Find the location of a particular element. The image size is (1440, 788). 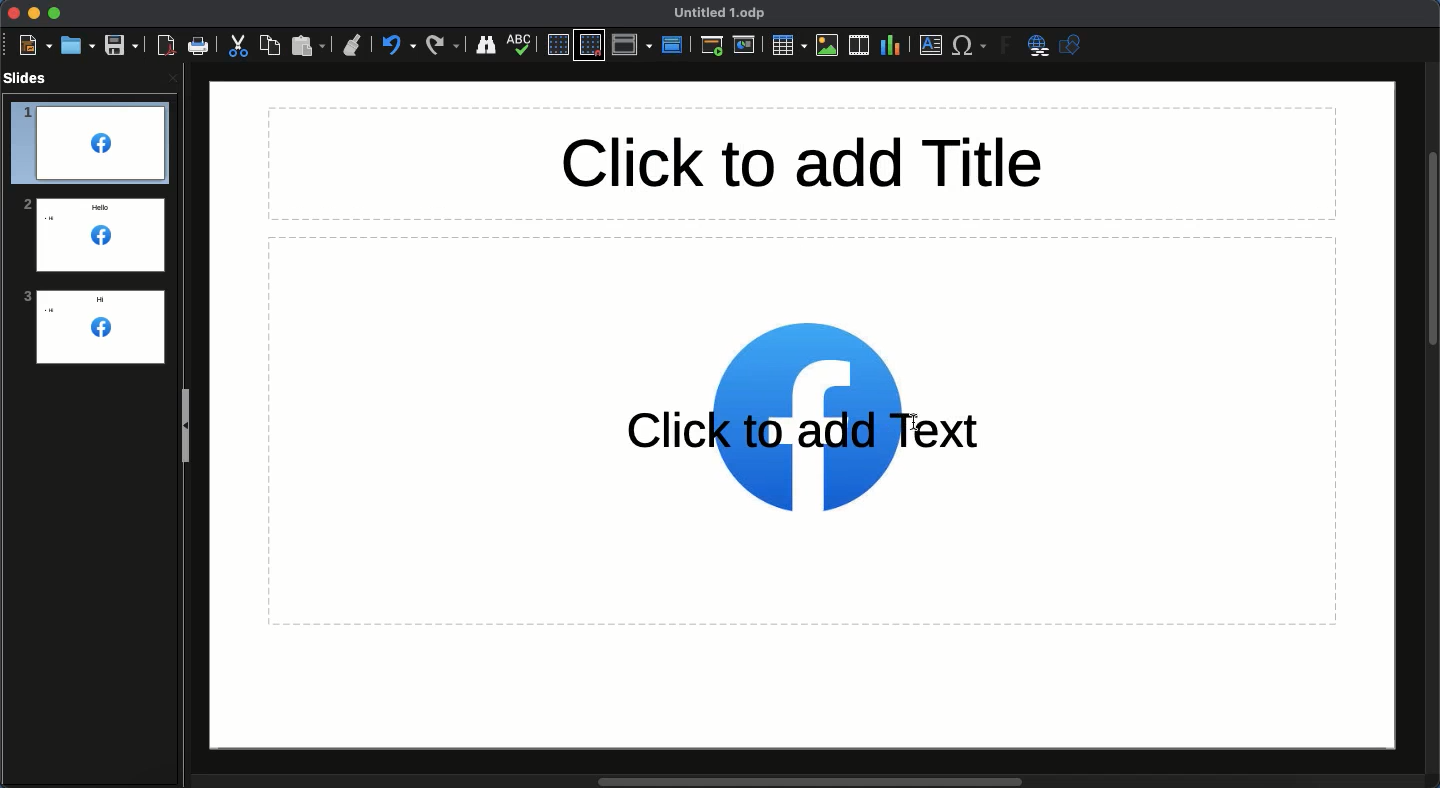

Images is located at coordinates (826, 49).